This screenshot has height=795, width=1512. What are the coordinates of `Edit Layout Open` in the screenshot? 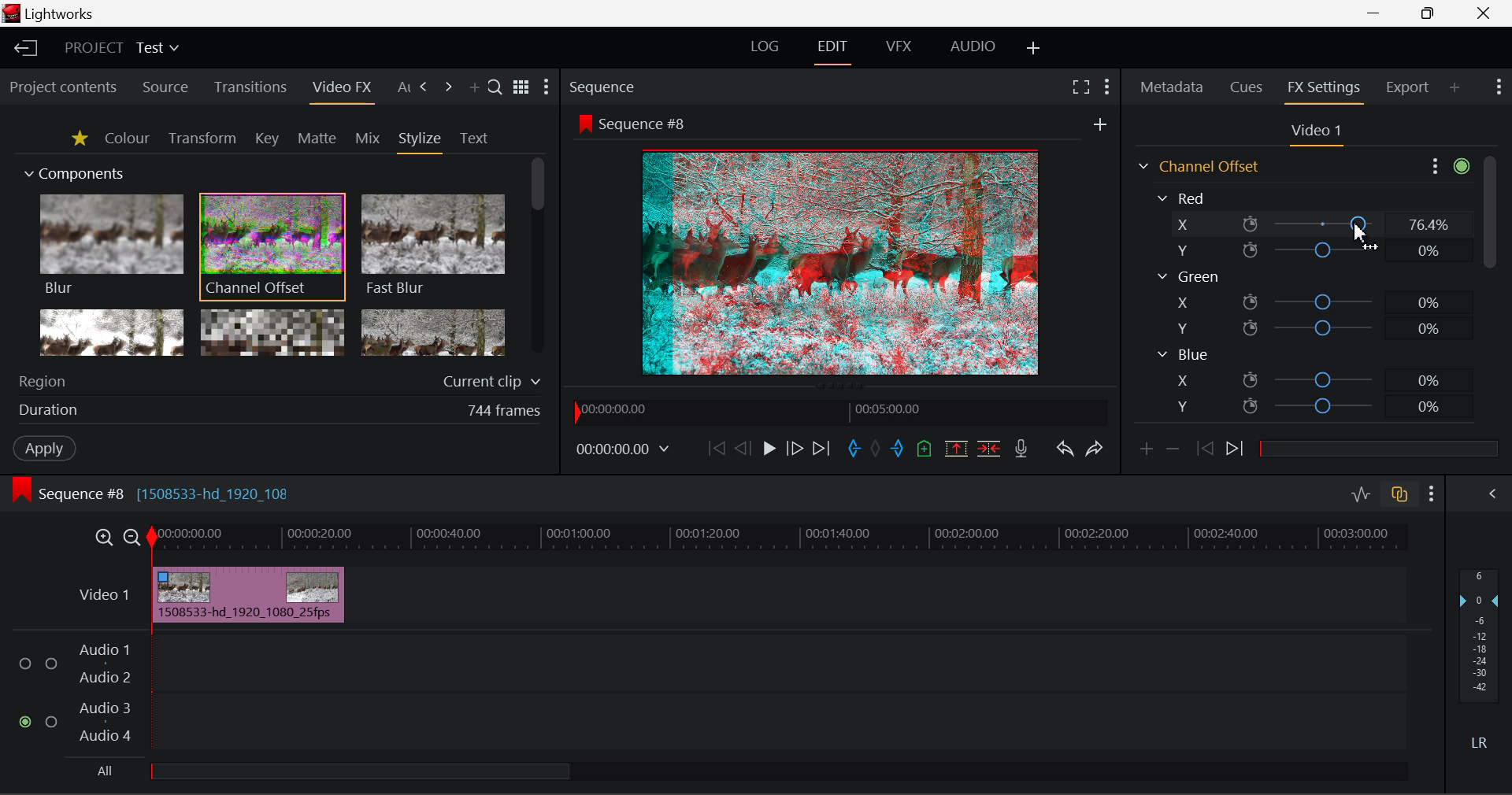 It's located at (832, 52).